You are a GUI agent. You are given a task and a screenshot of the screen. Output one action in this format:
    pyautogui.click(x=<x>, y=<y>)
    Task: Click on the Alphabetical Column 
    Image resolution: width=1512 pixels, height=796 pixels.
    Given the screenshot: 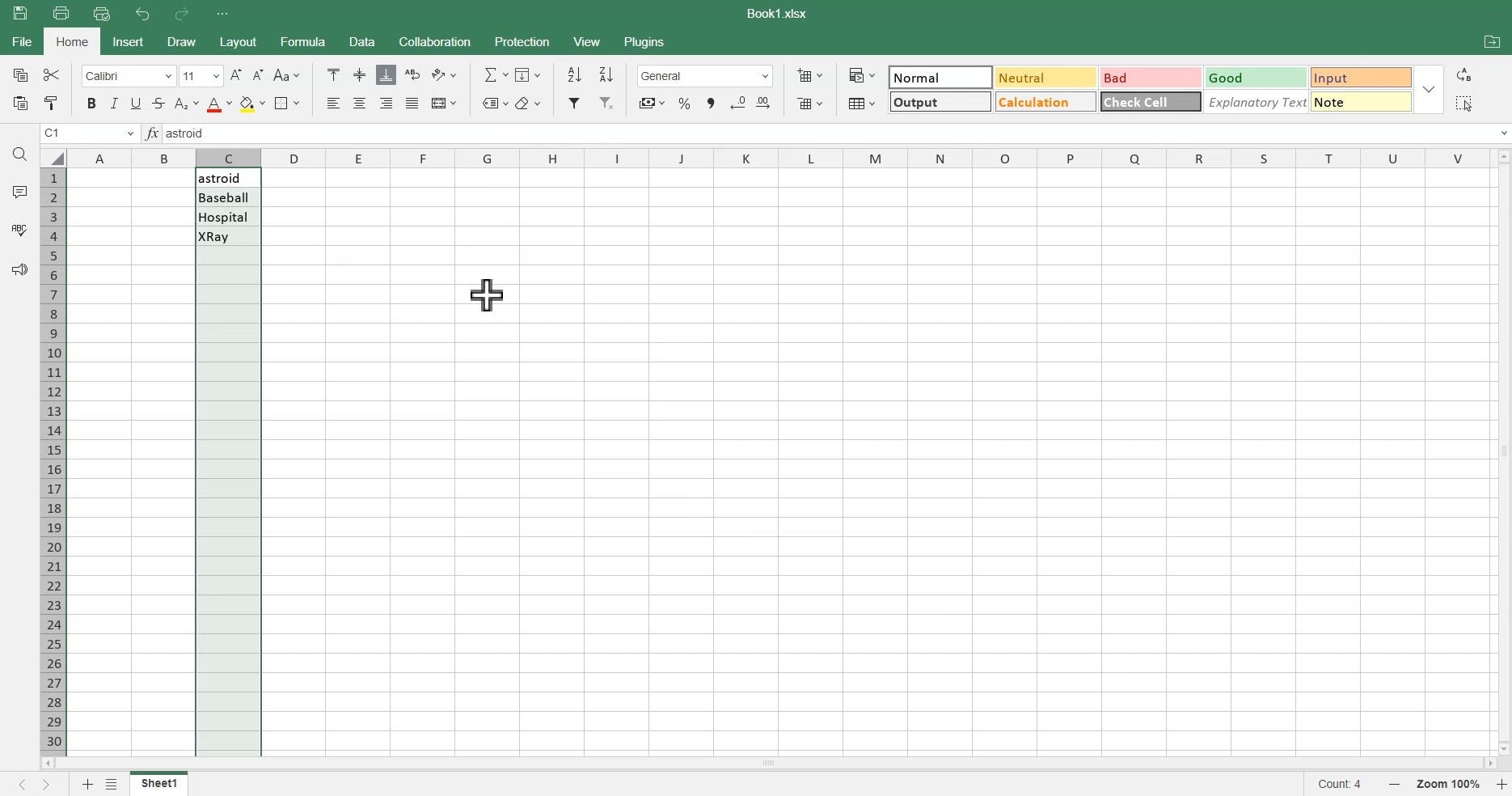 What is the action you would take?
    pyautogui.click(x=777, y=157)
    